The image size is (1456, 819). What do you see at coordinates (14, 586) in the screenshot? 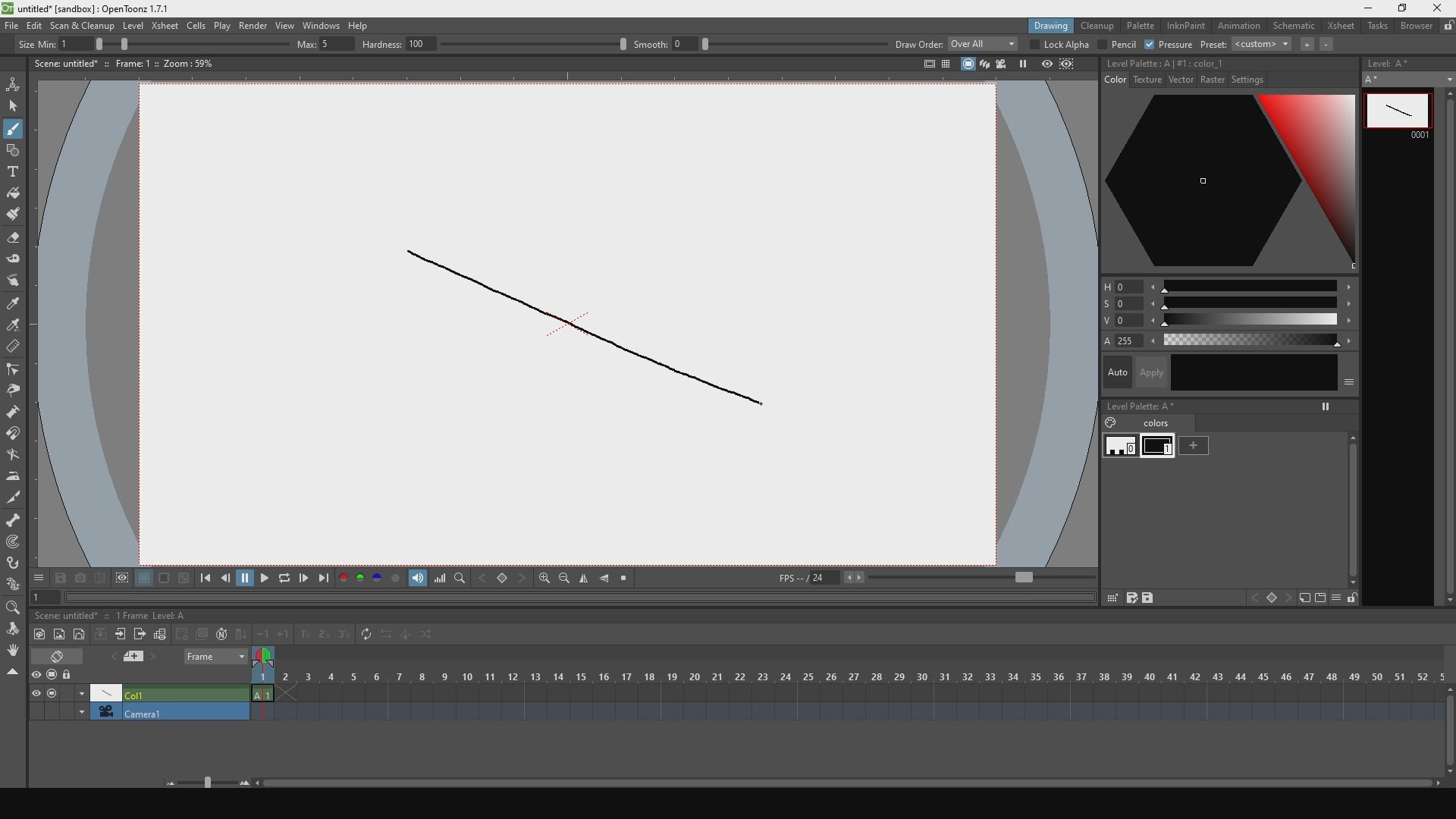
I see `plastic` at bounding box center [14, 586].